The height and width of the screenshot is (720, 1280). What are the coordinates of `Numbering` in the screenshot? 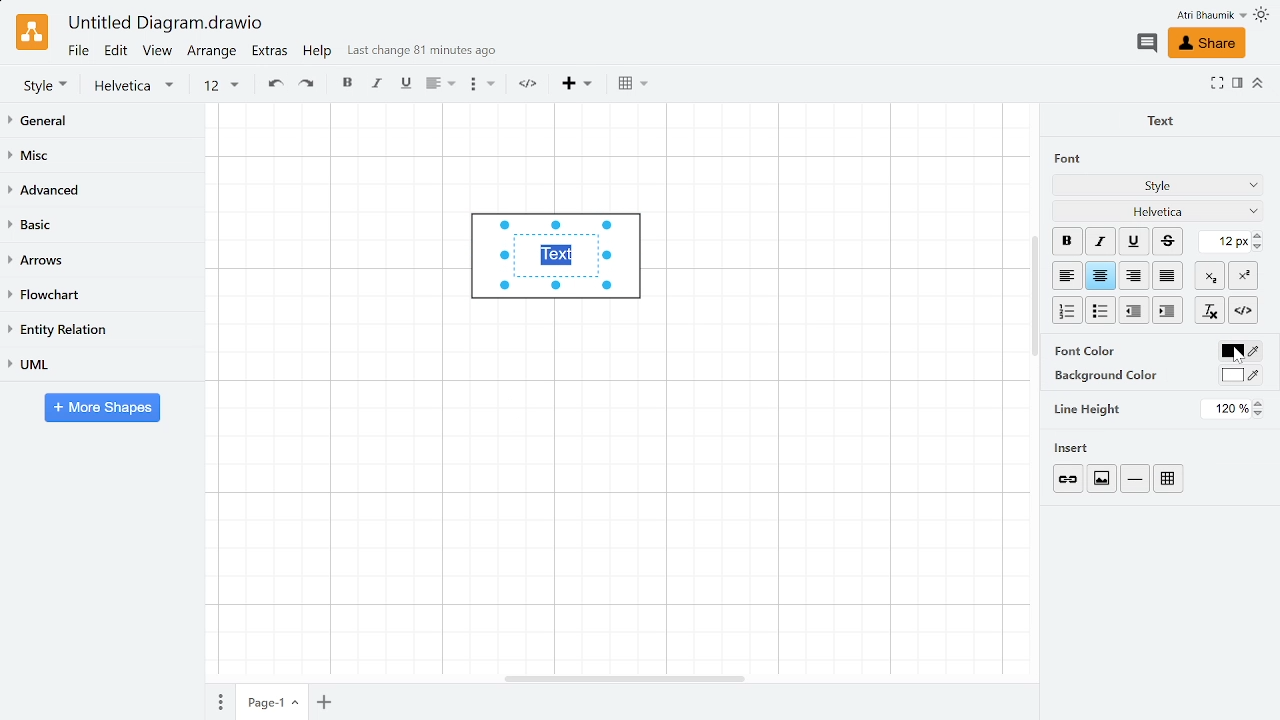 It's located at (1068, 311).